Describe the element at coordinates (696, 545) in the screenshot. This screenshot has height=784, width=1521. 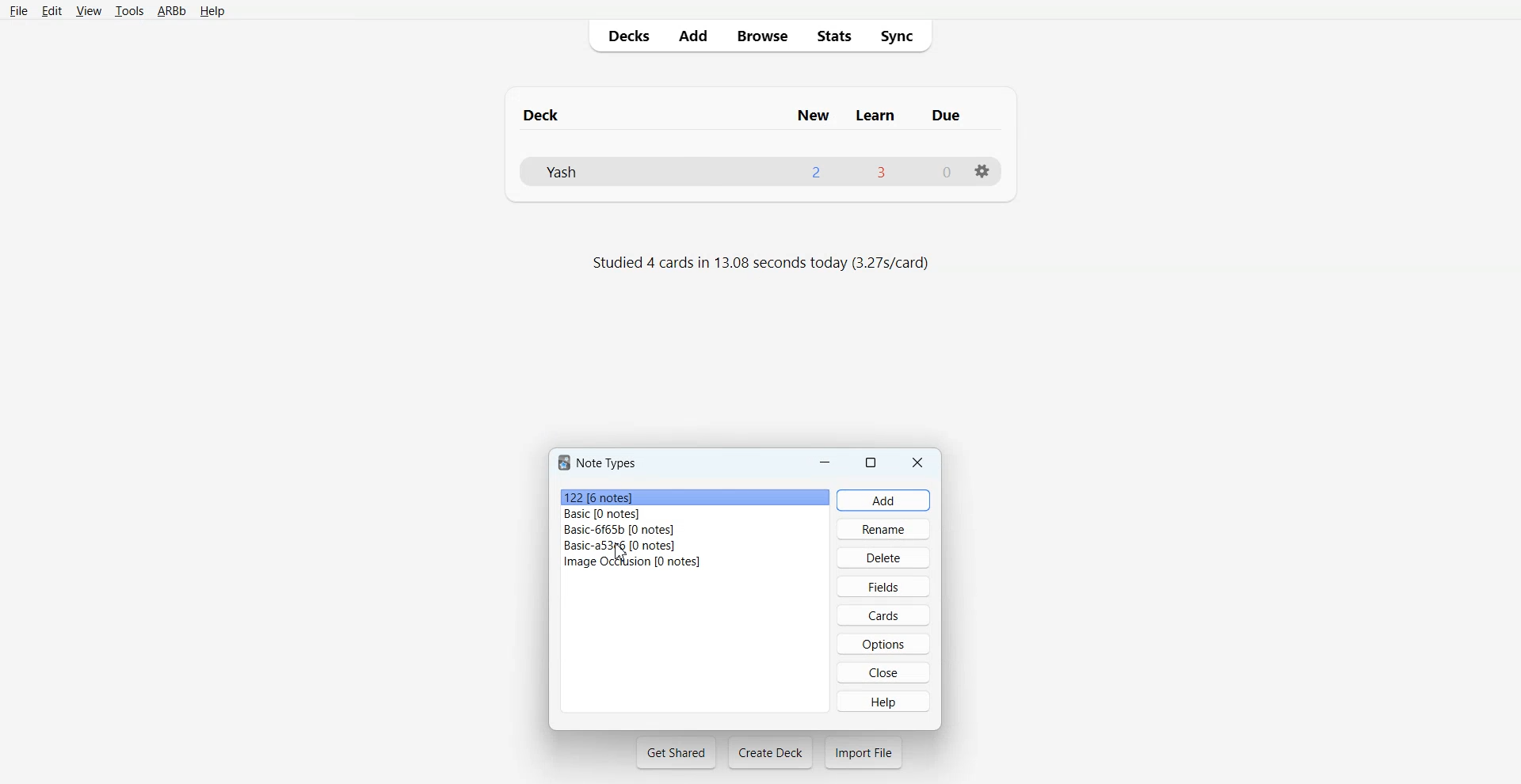
I see `Basic-a53r6` at that location.